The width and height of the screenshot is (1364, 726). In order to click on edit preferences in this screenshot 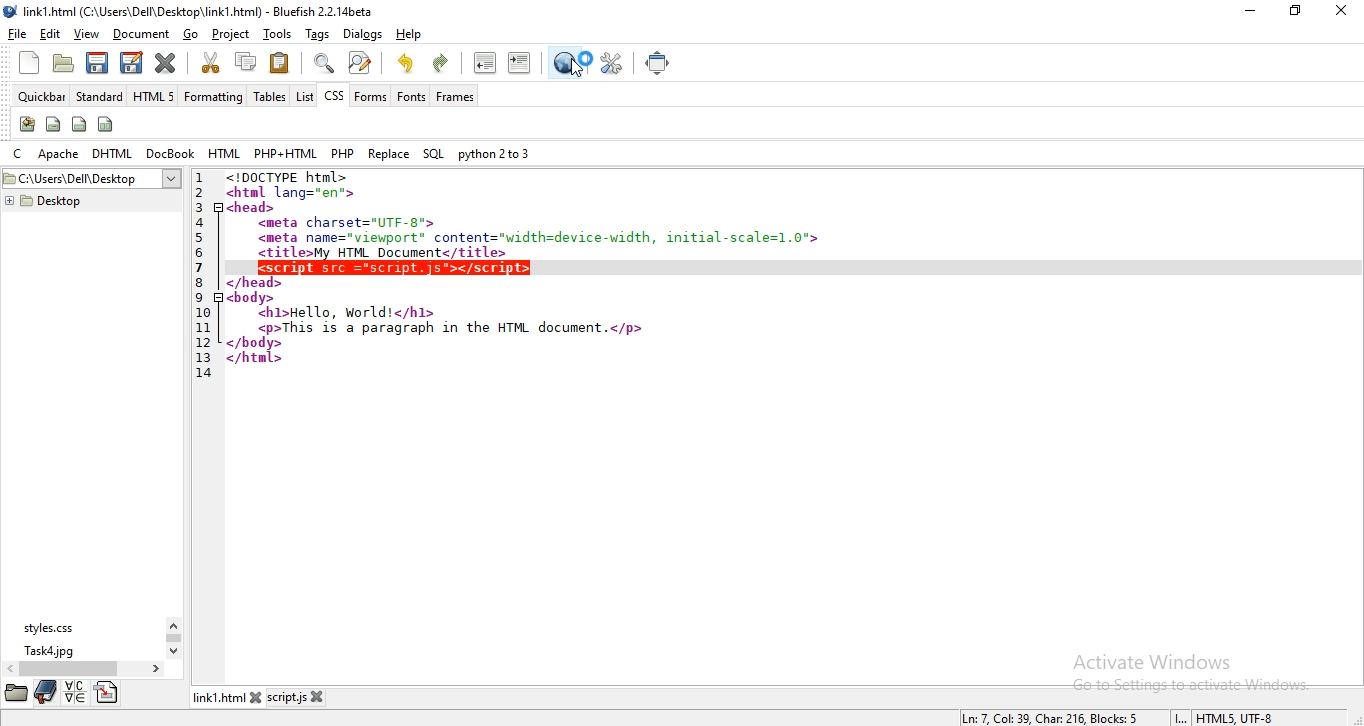, I will do `click(611, 64)`.